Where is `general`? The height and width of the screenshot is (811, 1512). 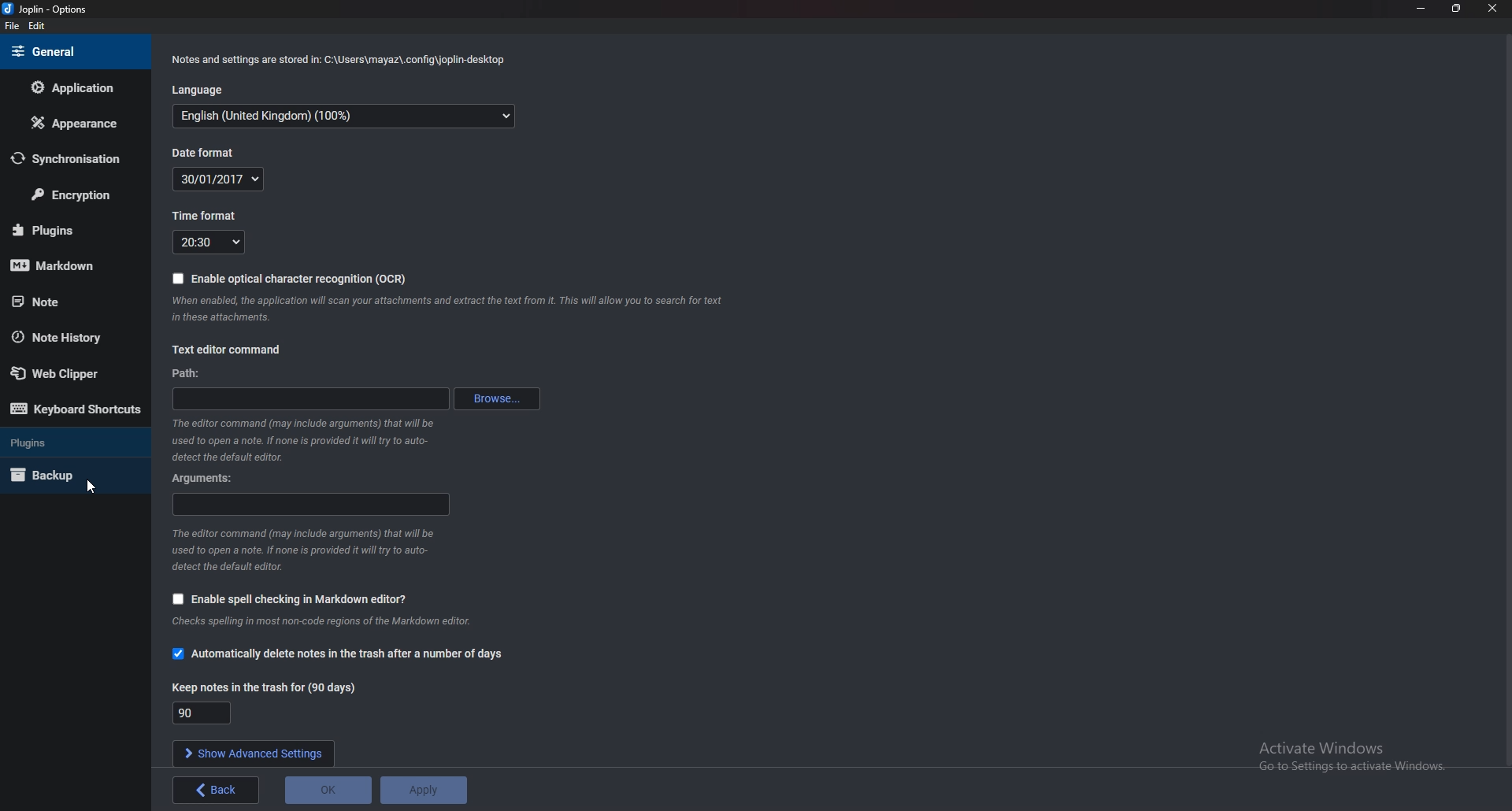
general is located at coordinates (68, 52).